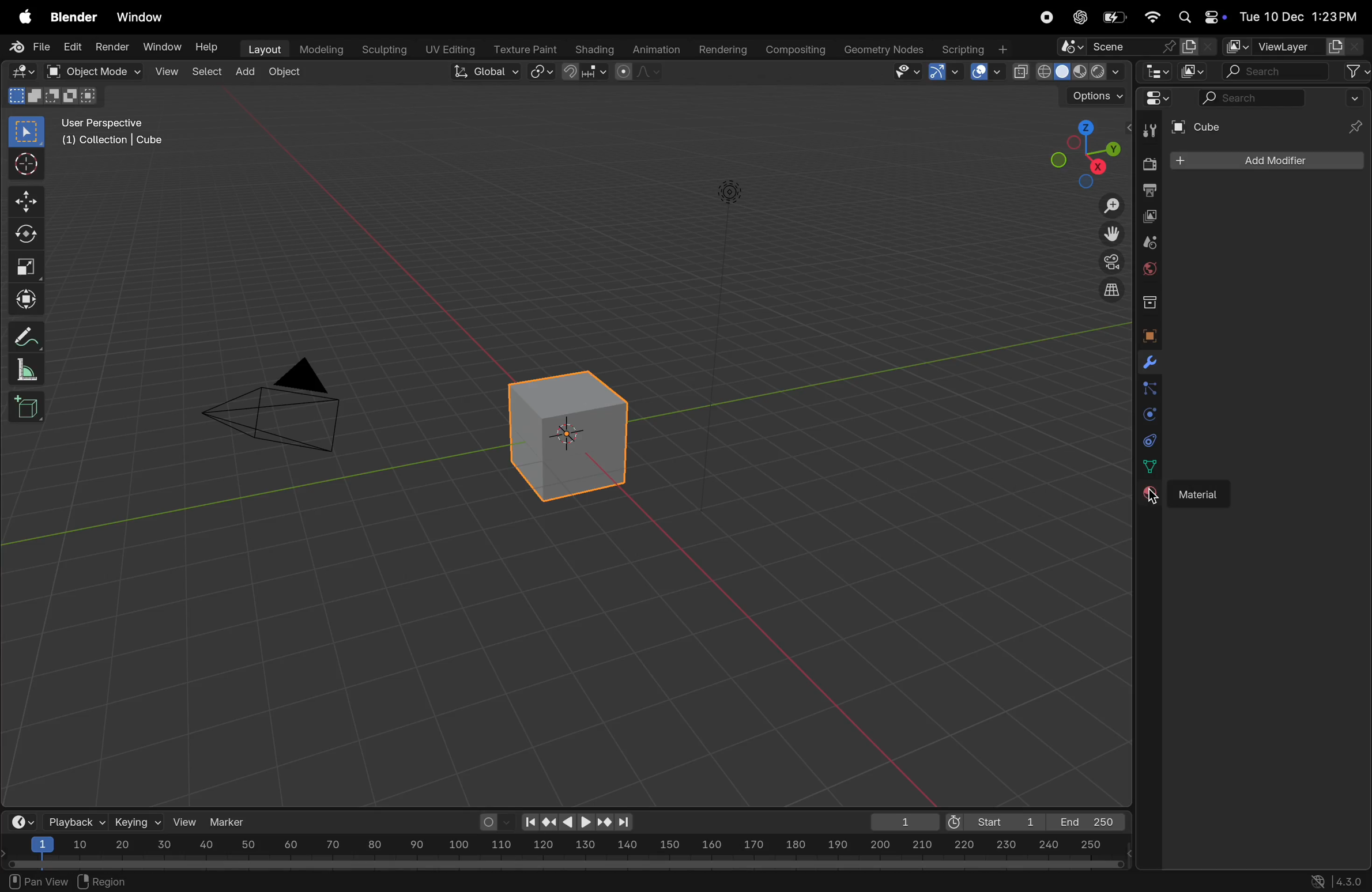  Describe the element at coordinates (74, 821) in the screenshot. I see `playback` at that location.